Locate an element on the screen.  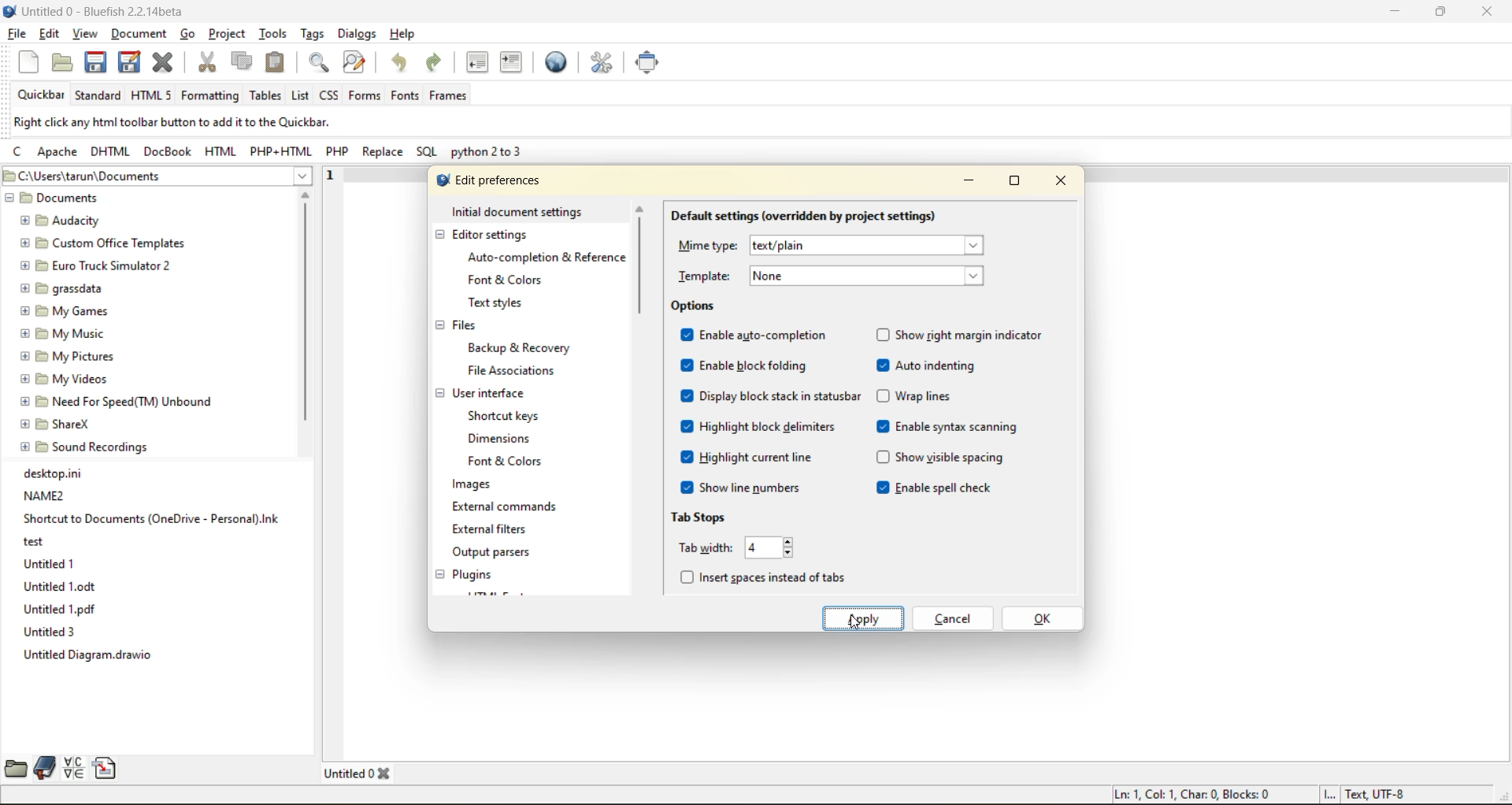
find is located at coordinates (322, 65).